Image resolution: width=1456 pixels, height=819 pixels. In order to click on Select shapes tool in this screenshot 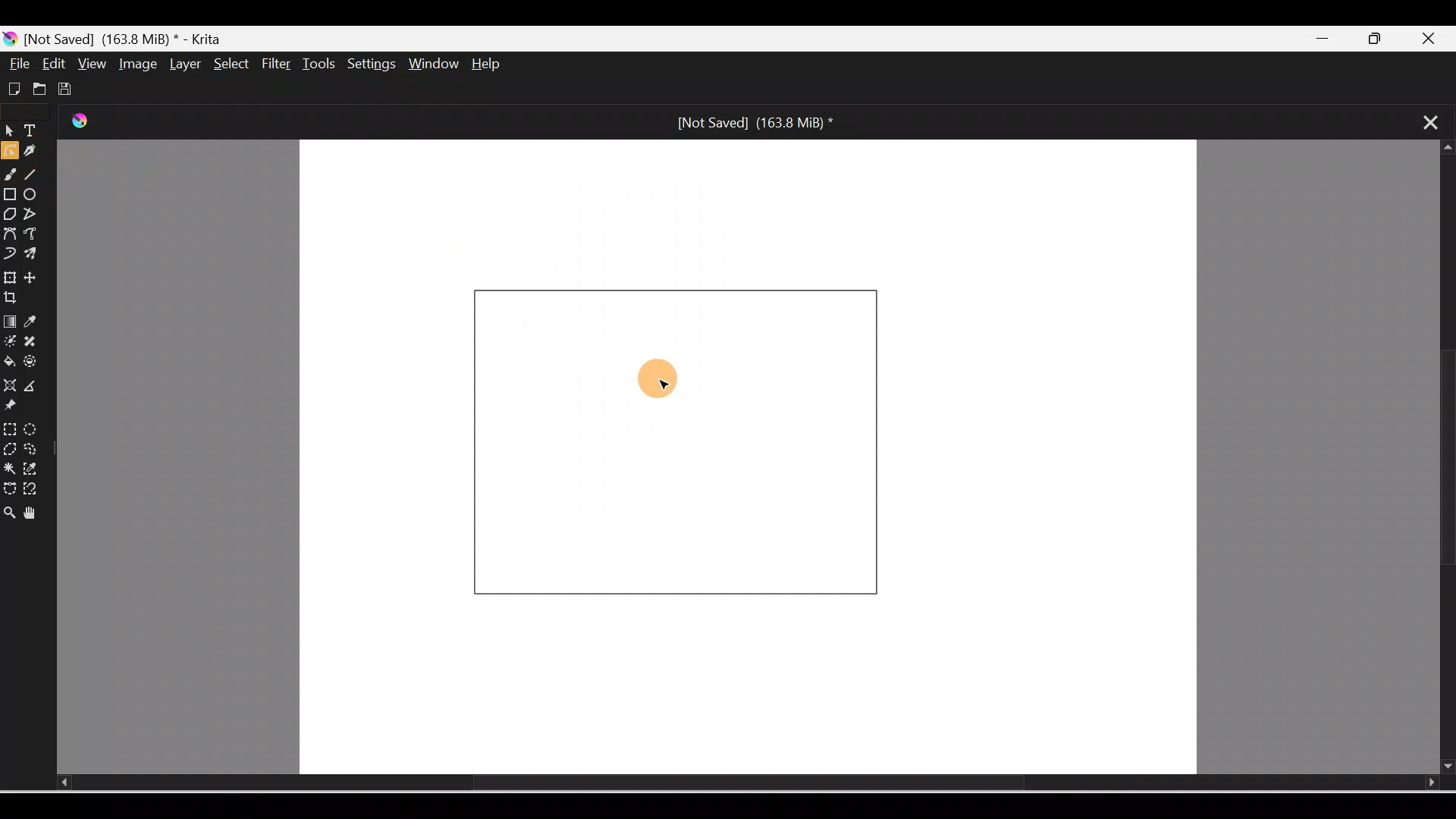, I will do `click(9, 133)`.